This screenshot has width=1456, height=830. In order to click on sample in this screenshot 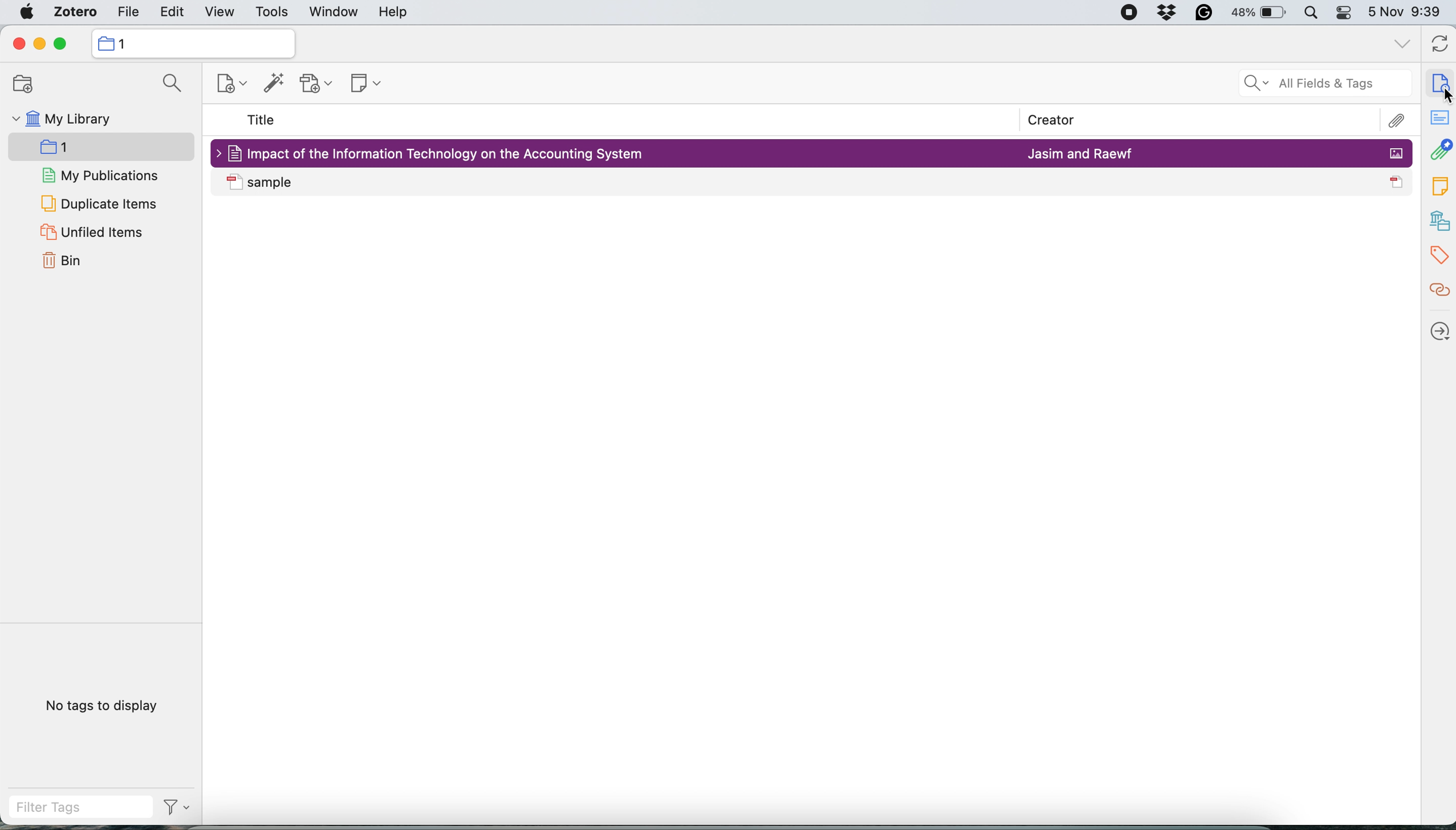, I will do `click(264, 183)`.